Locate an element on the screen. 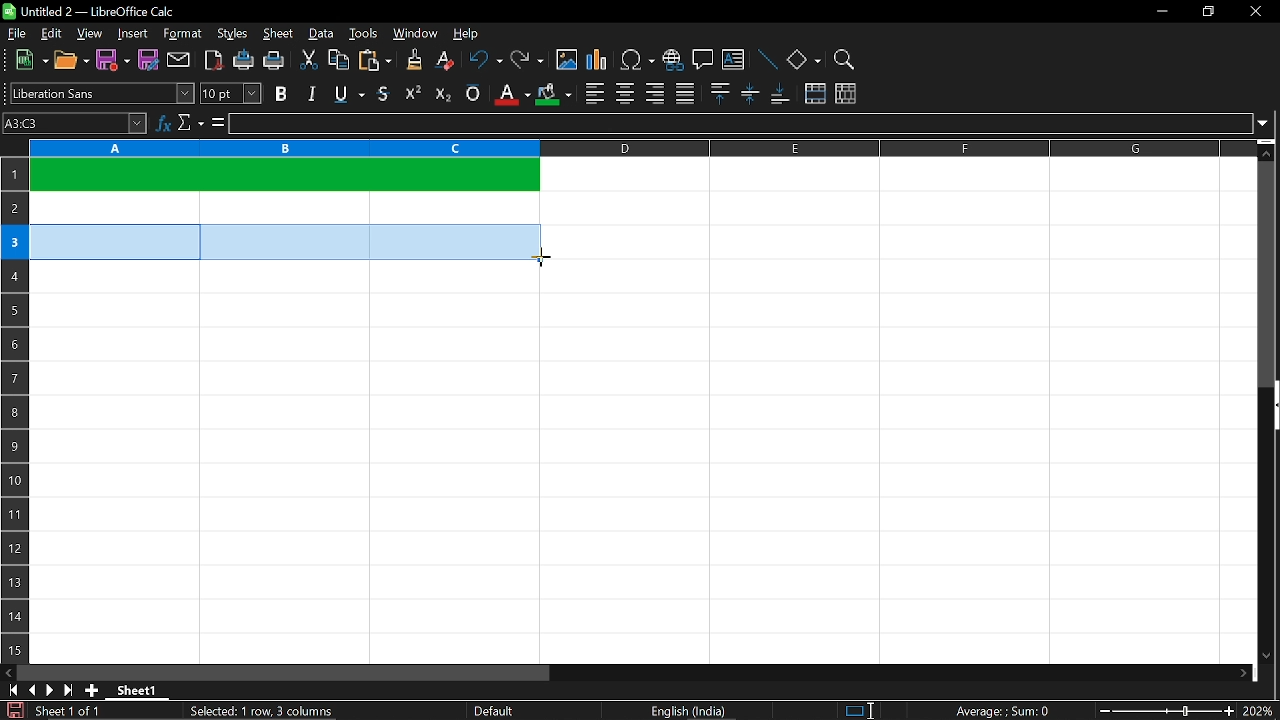 This screenshot has height=720, width=1280. English (India) is located at coordinates (690, 711).